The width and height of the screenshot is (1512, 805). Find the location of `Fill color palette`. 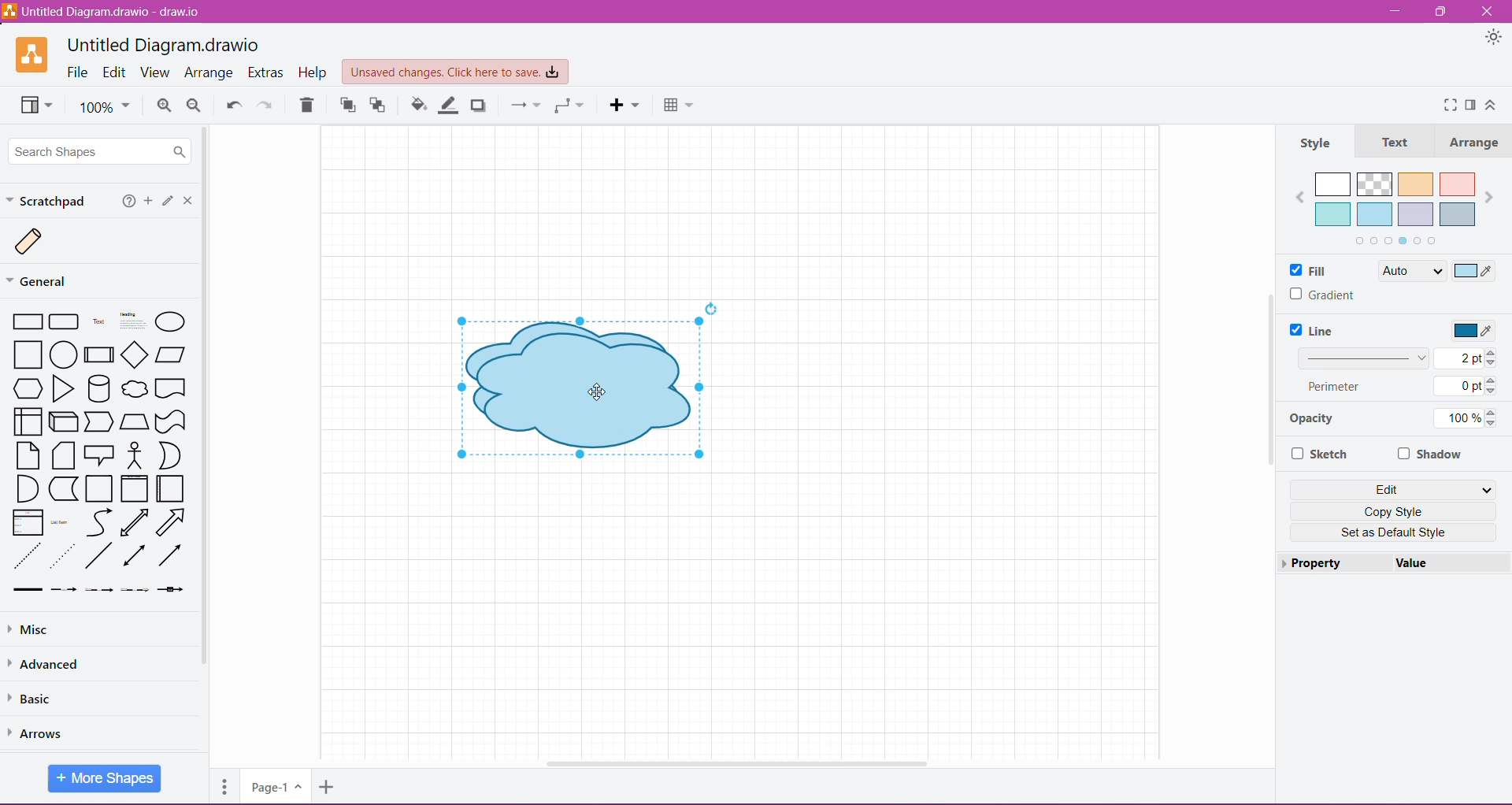

Fill color palette is located at coordinates (1395, 208).